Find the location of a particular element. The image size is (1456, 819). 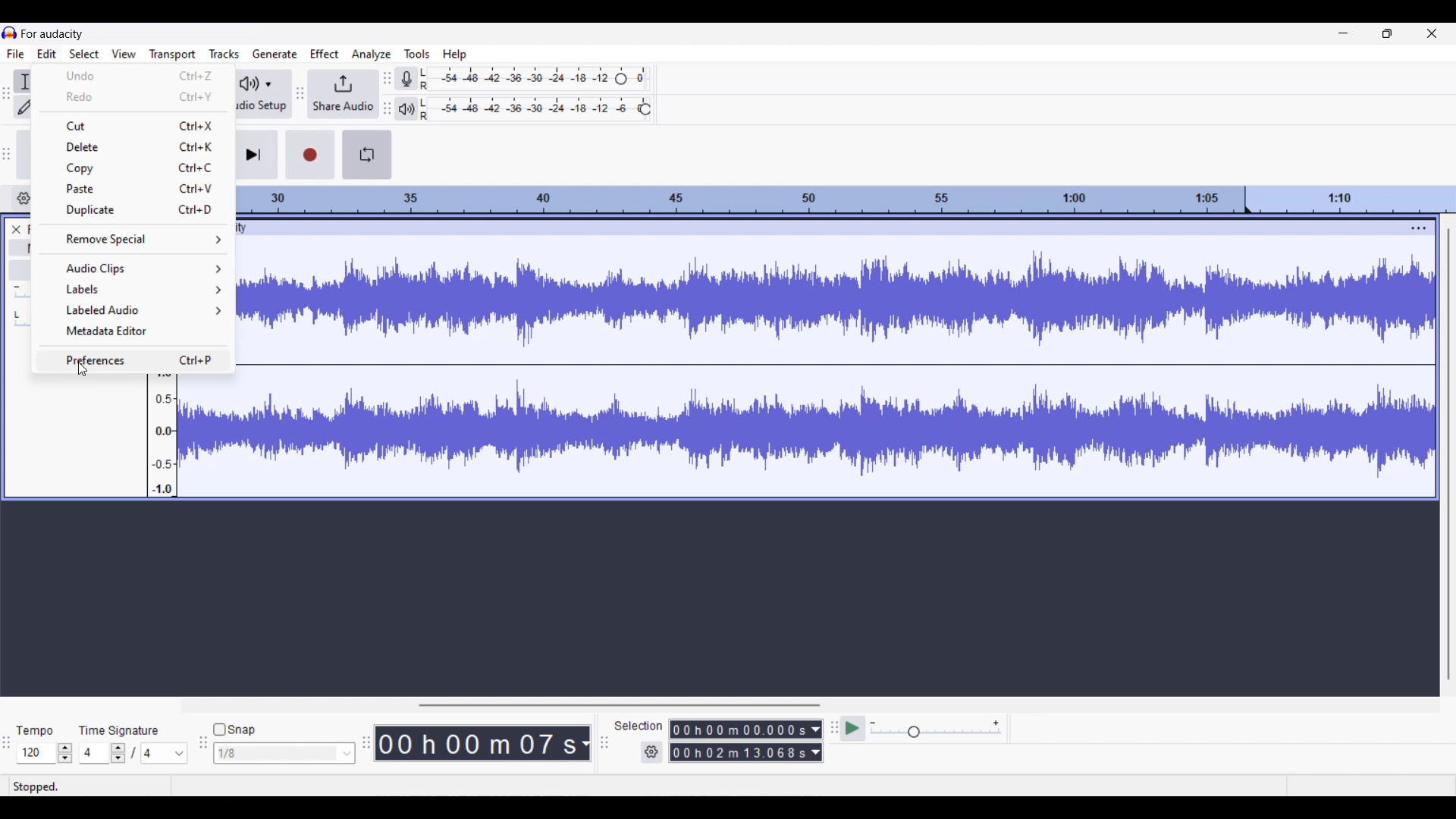

Tools menu is located at coordinates (417, 53).